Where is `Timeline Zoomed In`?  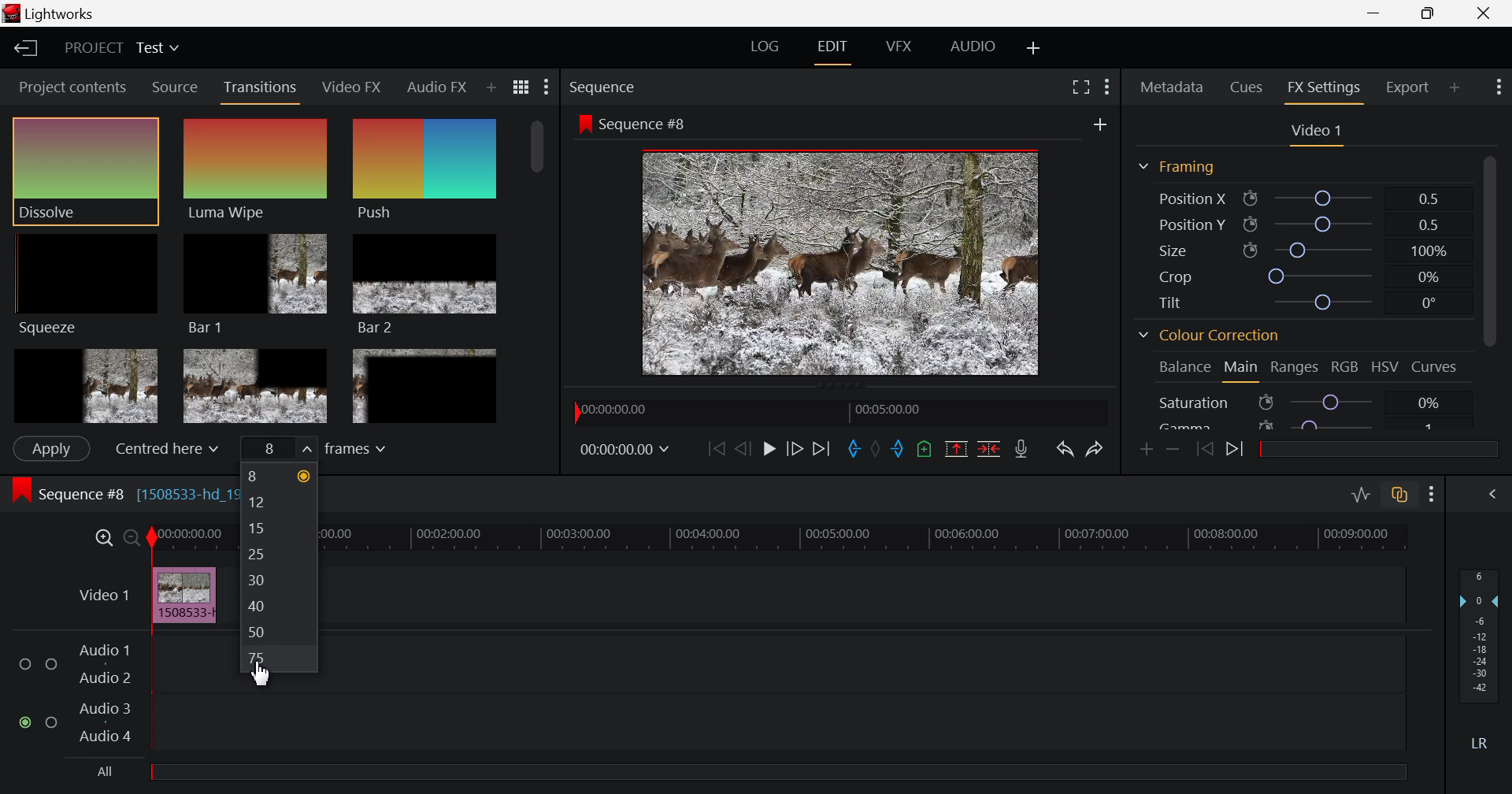
Timeline Zoomed In is located at coordinates (103, 540).